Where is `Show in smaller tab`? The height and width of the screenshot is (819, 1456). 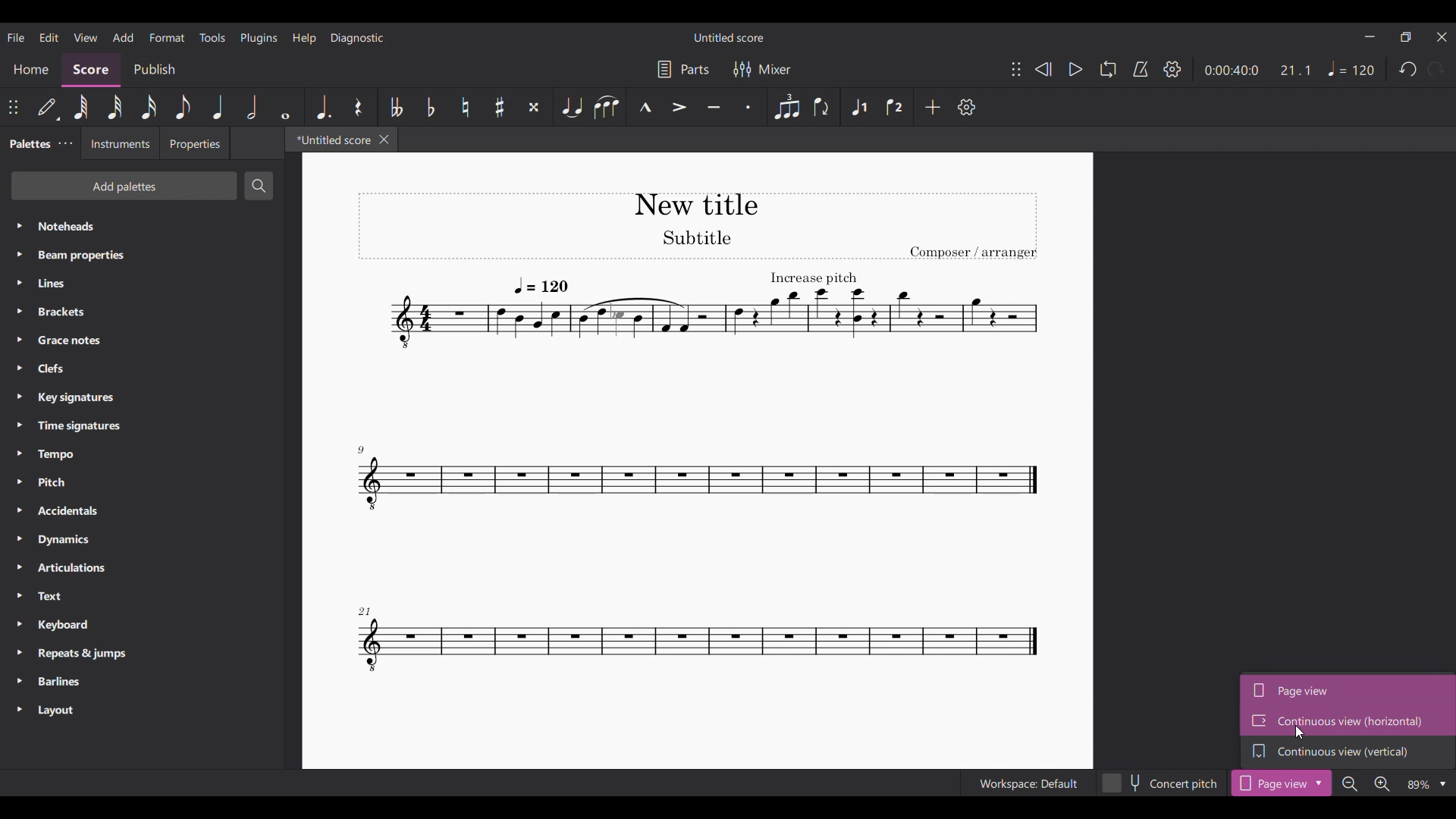
Show in smaller tab is located at coordinates (1406, 37).